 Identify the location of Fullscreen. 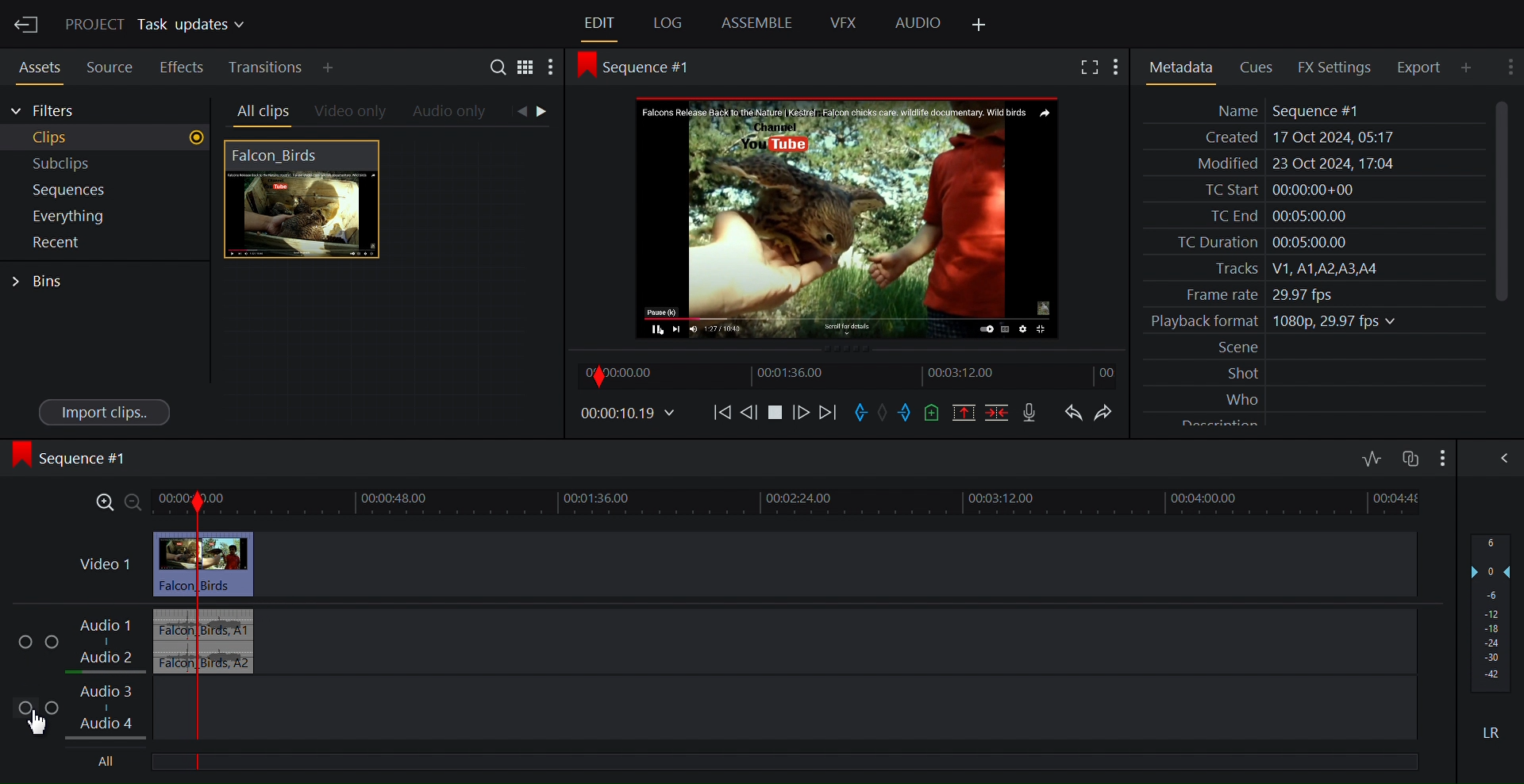
(1091, 67).